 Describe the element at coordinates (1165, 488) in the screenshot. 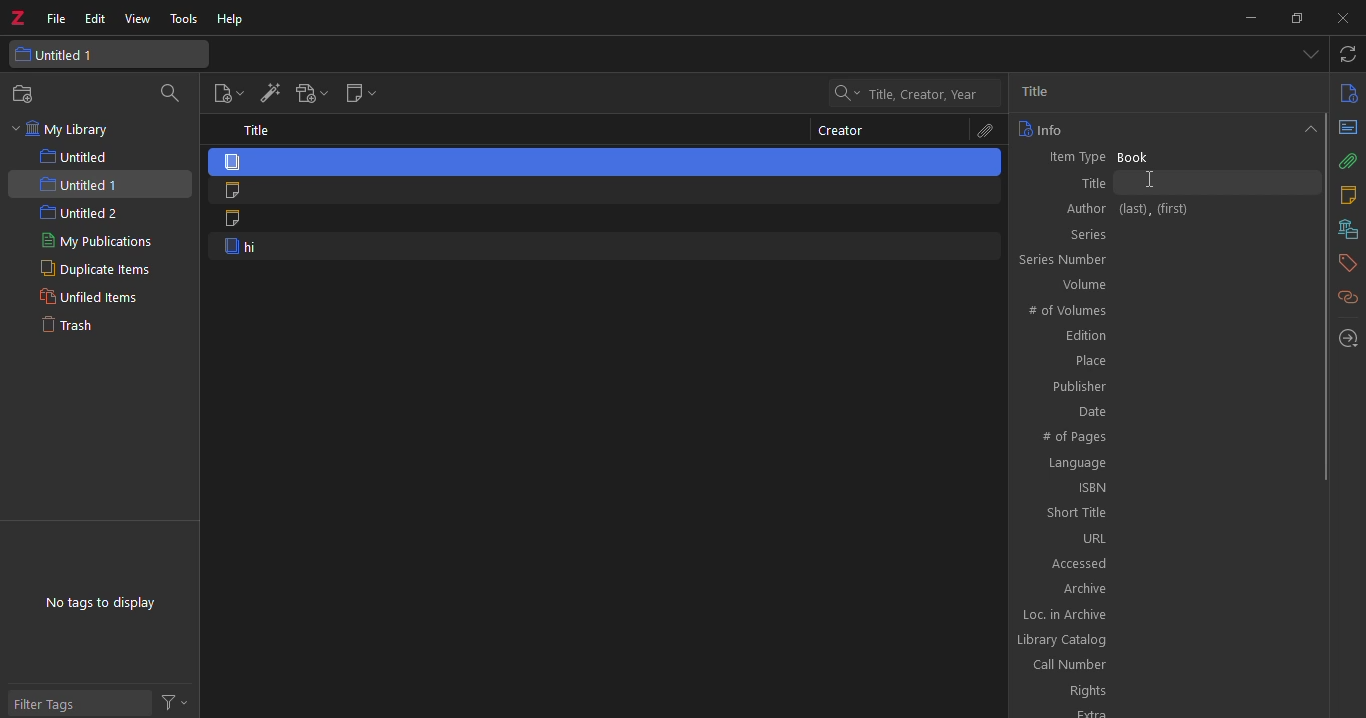

I see `ISBN` at that location.